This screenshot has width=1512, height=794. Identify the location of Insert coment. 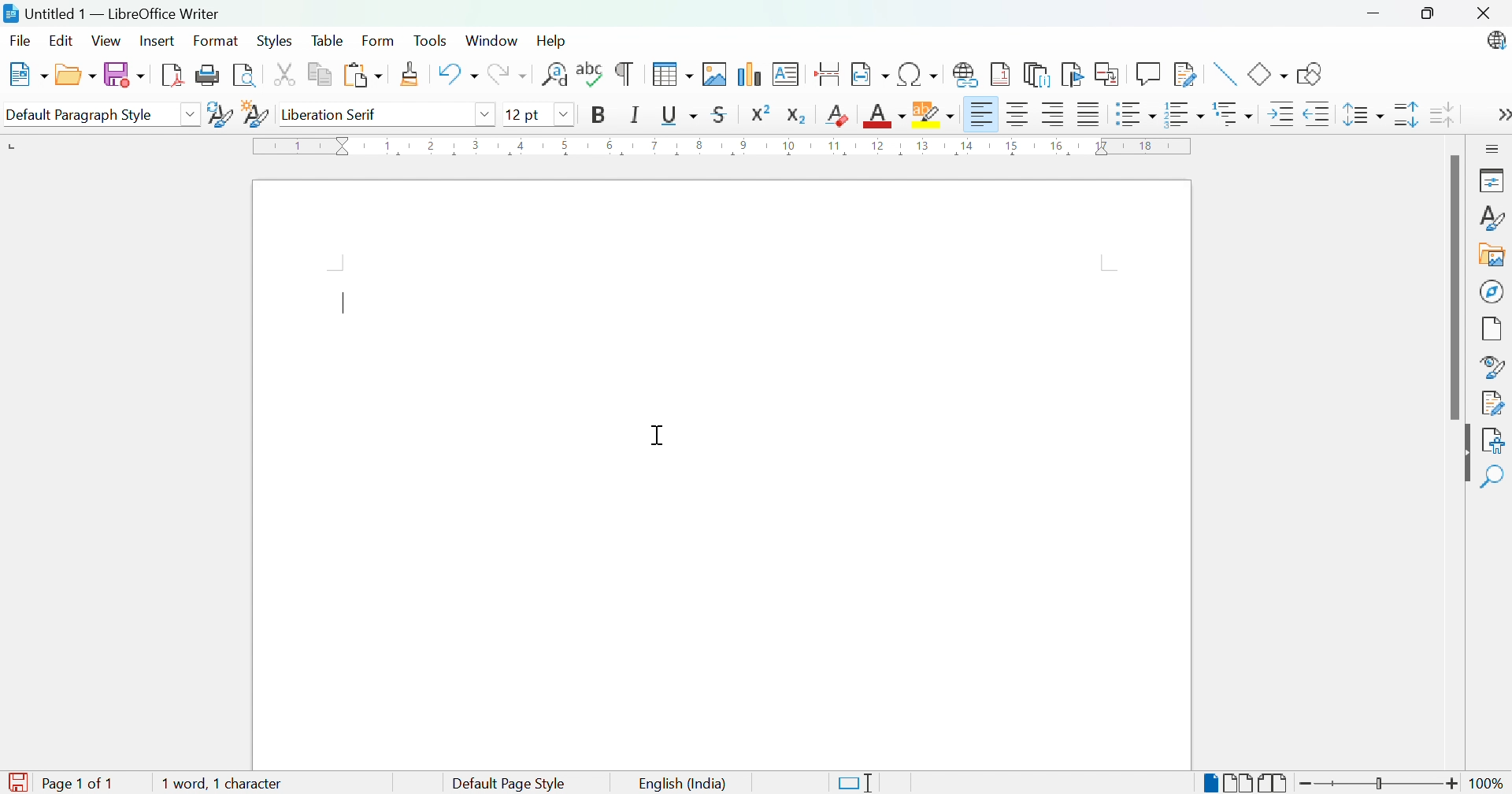
(1149, 73).